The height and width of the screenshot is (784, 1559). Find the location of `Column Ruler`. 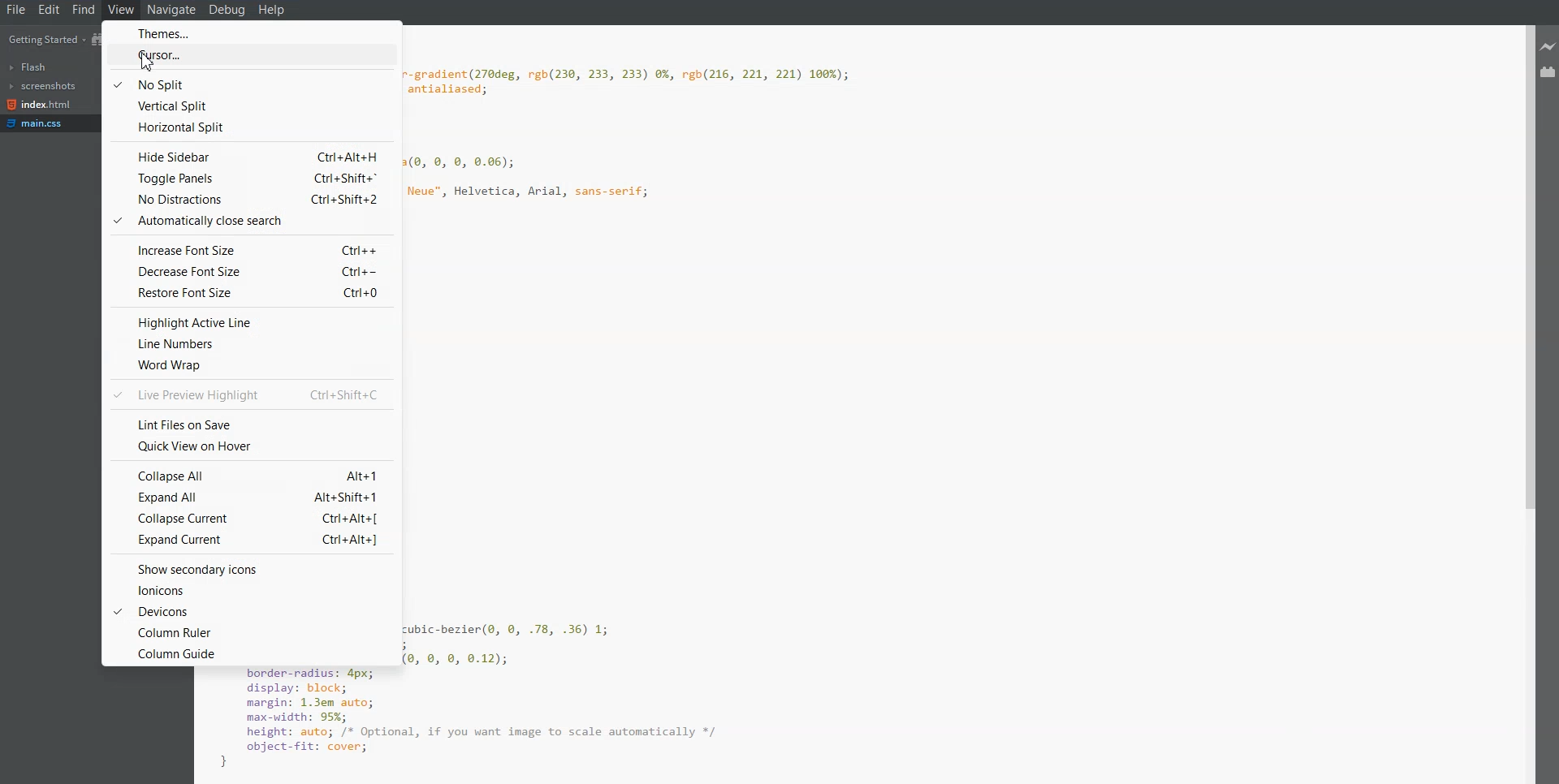

Column Ruler is located at coordinates (250, 632).